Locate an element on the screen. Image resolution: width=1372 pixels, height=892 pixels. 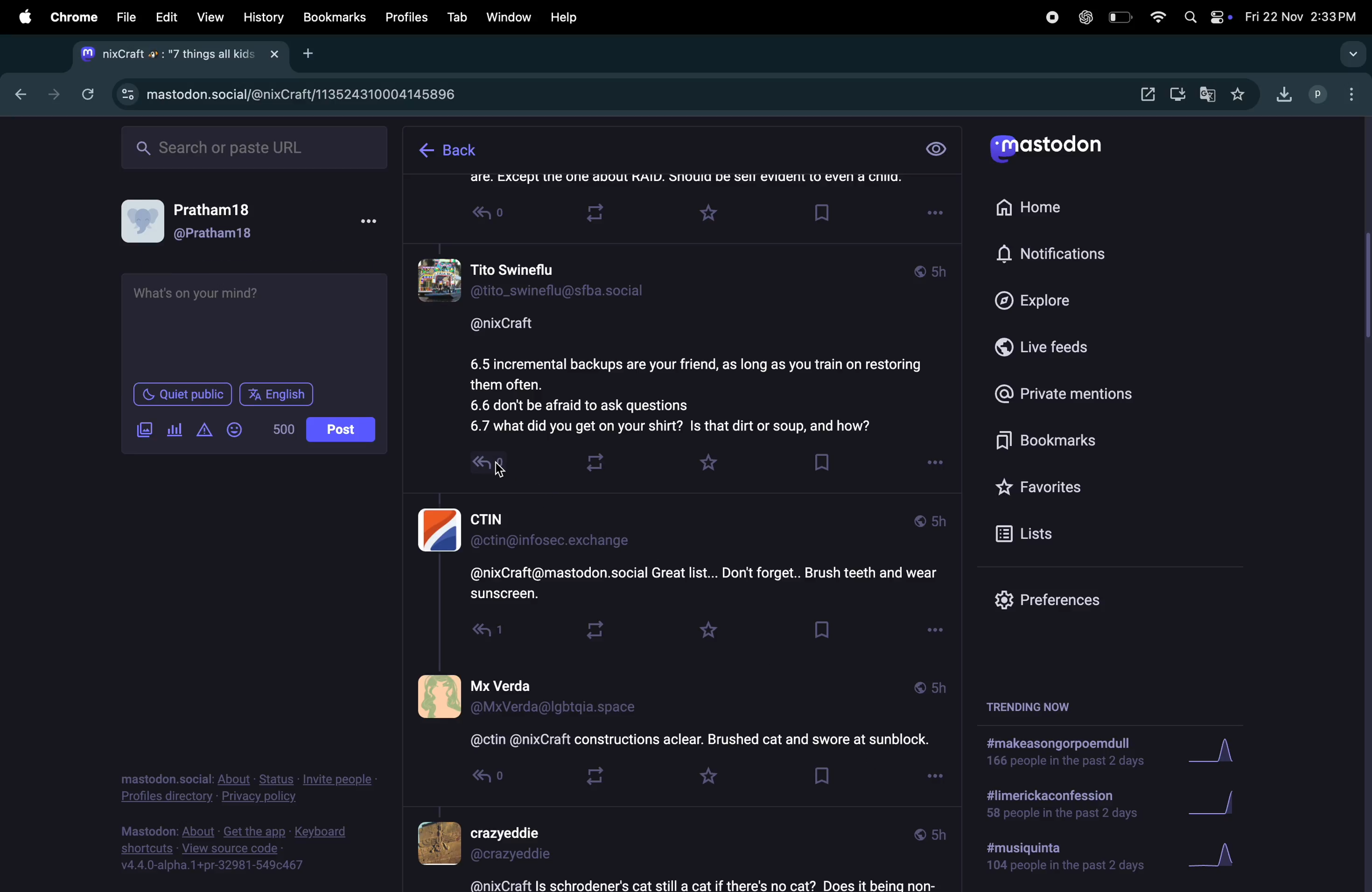
forward is located at coordinates (52, 93).